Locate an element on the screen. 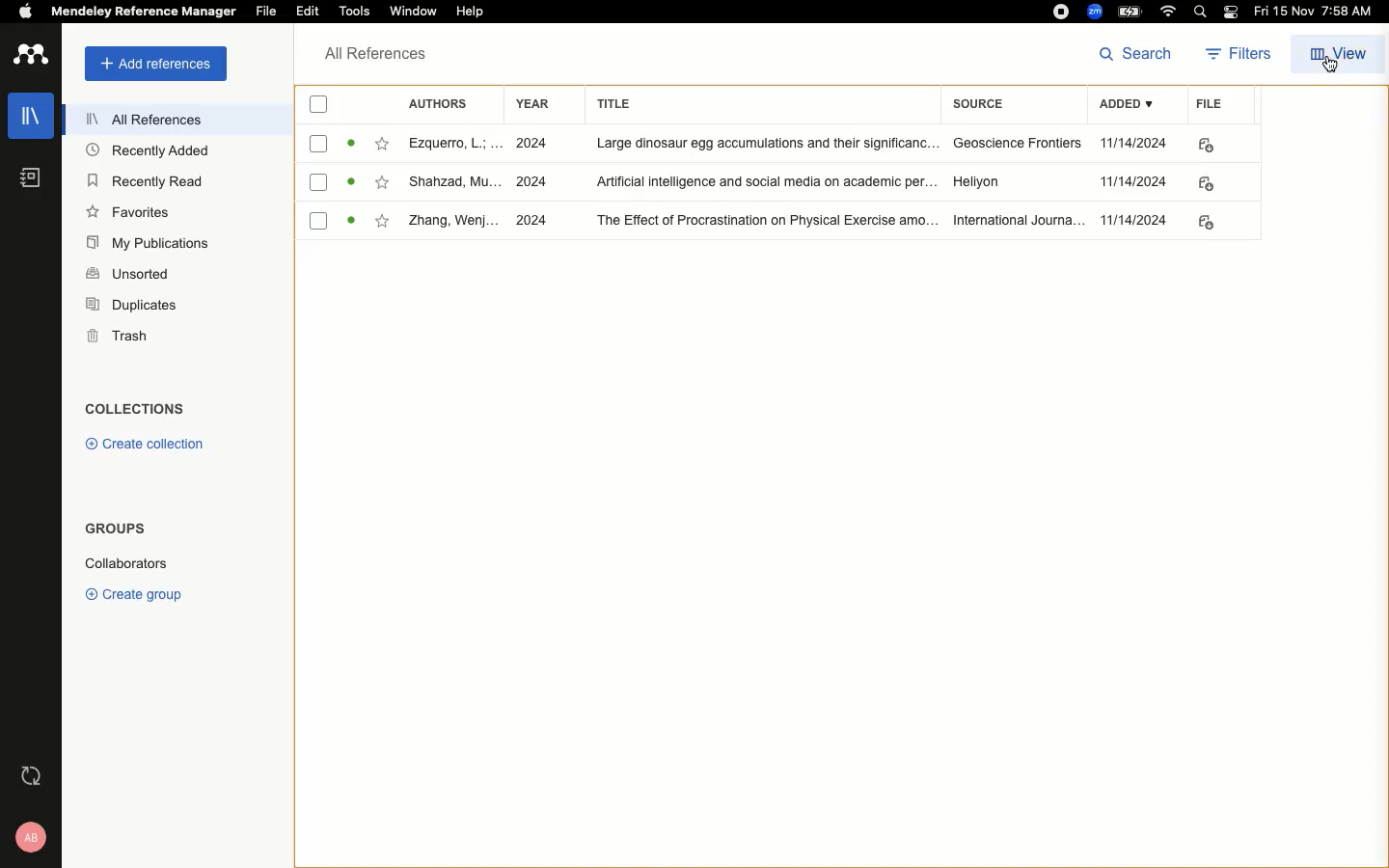  Shahzad is located at coordinates (450, 183).